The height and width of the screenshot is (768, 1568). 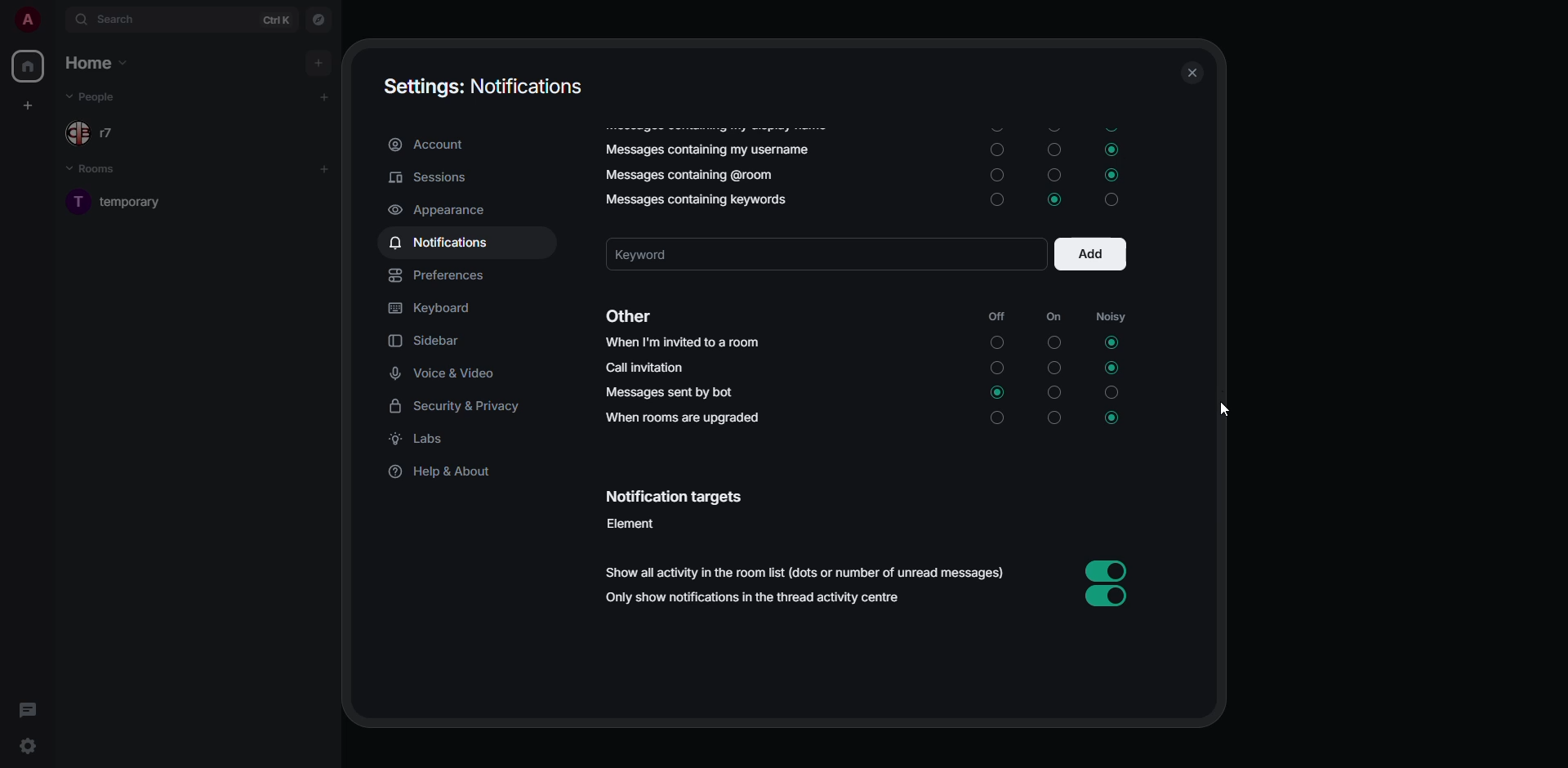 I want to click on keyword, so click(x=666, y=254).